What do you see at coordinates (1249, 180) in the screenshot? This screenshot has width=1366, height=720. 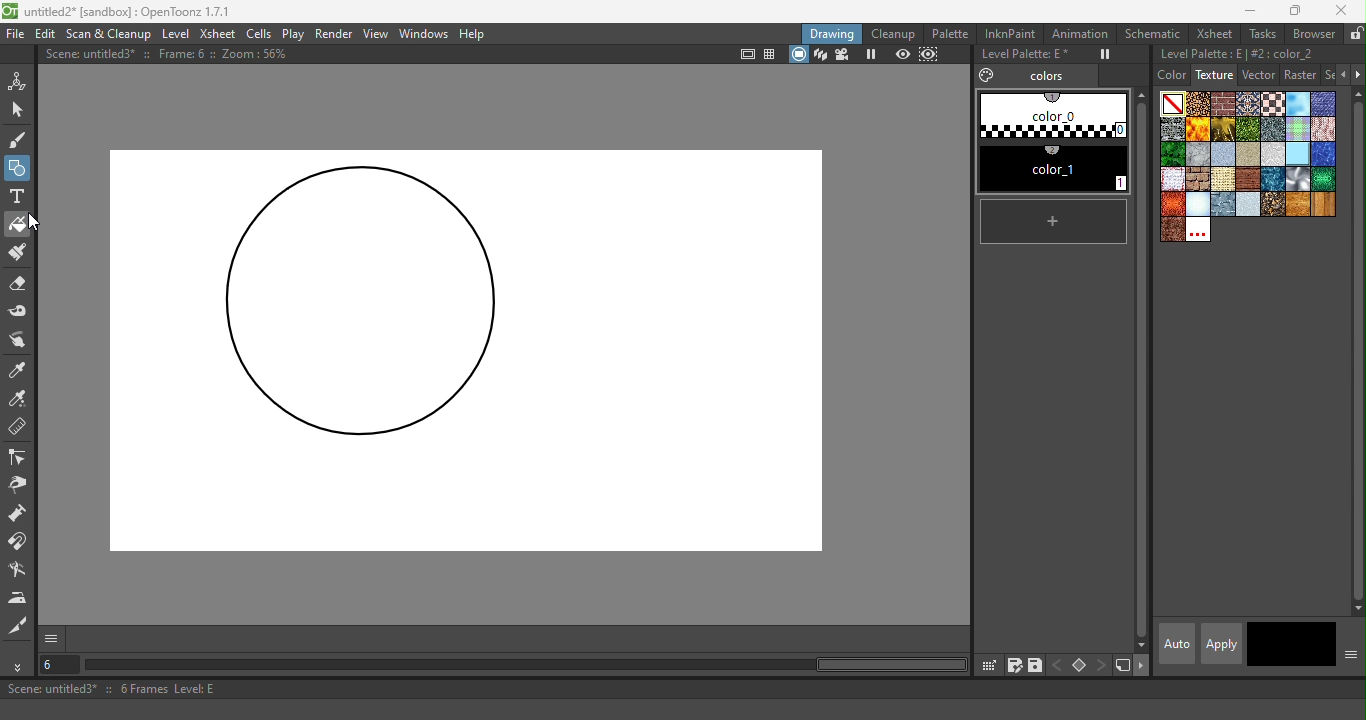 I see `roughparquet.bmp` at bounding box center [1249, 180].